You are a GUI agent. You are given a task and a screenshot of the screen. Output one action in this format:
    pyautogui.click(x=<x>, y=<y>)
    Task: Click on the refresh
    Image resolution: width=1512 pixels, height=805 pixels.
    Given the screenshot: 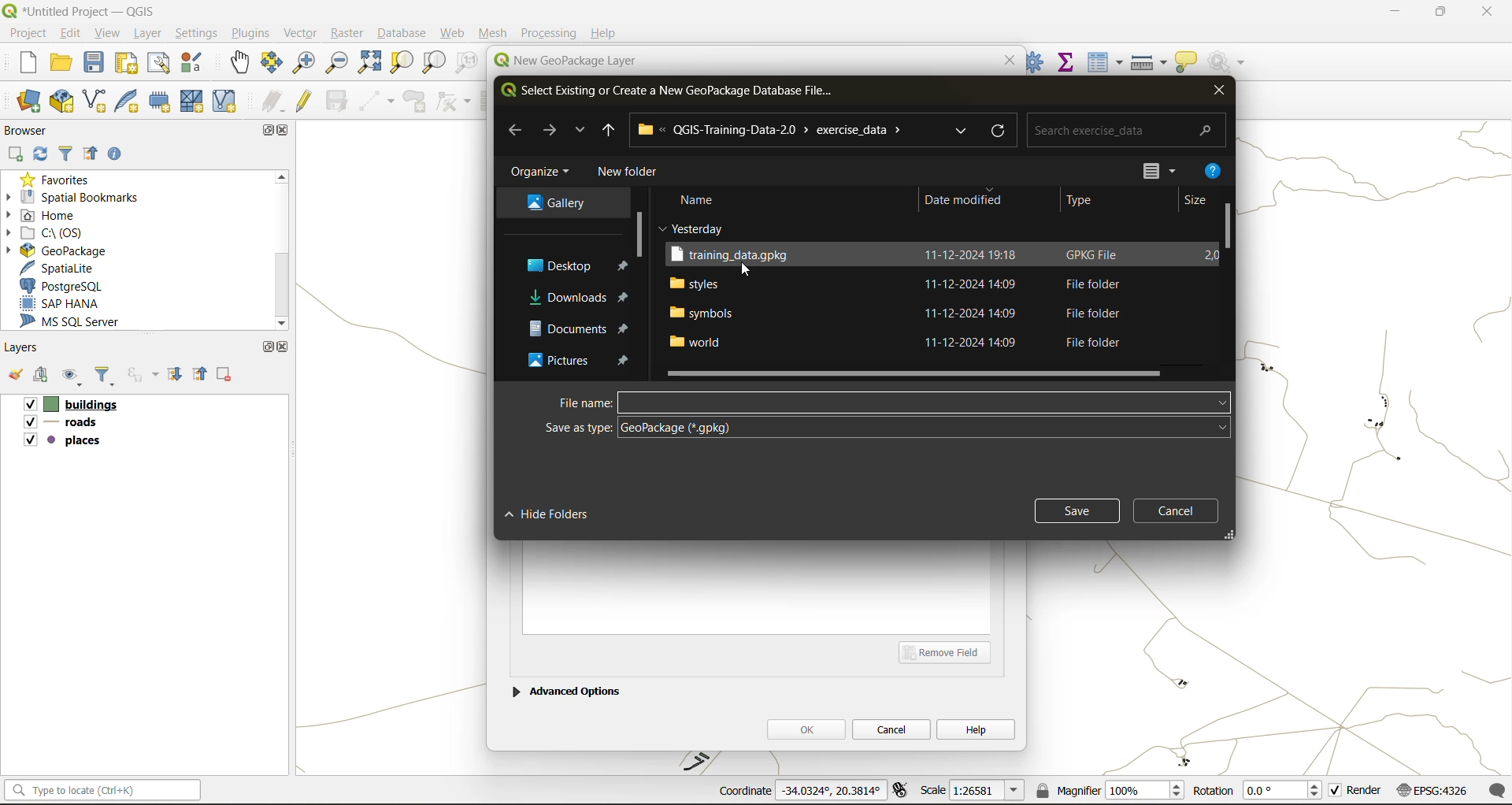 What is the action you would take?
    pyautogui.click(x=42, y=155)
    